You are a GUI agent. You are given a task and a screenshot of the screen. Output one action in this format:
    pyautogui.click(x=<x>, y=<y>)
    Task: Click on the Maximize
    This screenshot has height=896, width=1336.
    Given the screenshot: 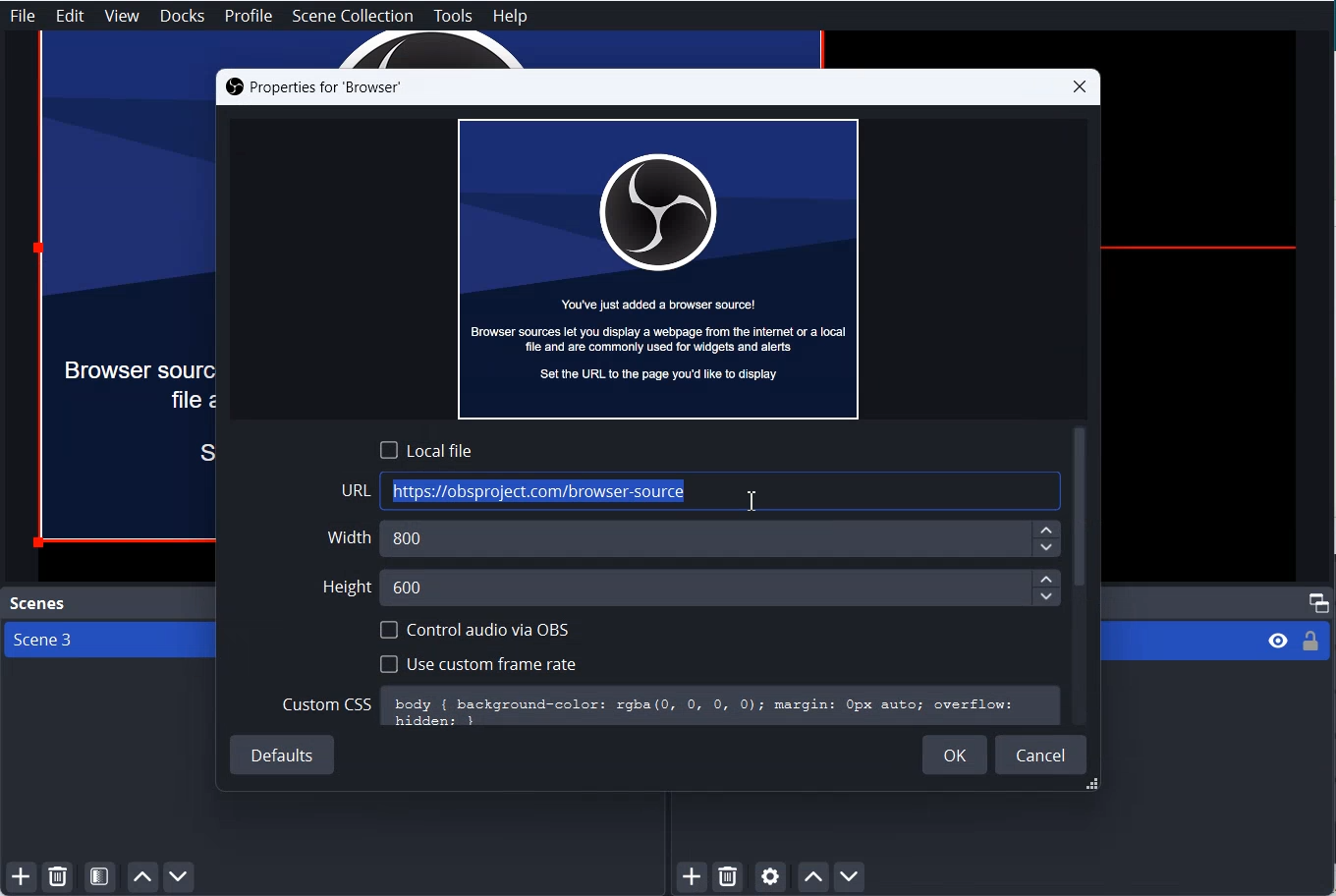 What is the action you would take?
    pyautogui.click(x=1319, y=601)
    